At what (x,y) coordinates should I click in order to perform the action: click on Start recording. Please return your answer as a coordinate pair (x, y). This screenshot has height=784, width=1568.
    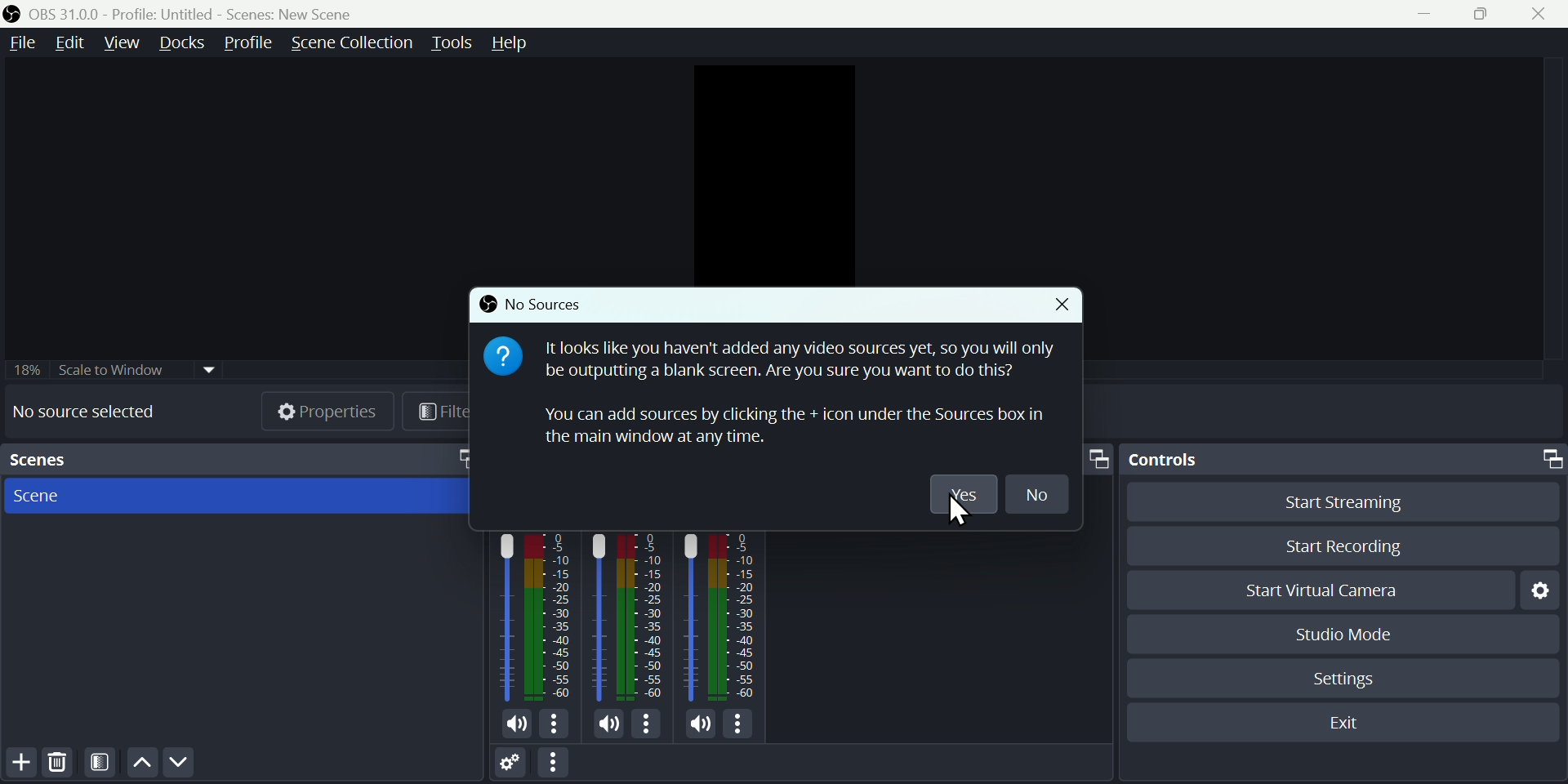
    Looking at the image, I should click on (1341, 541).